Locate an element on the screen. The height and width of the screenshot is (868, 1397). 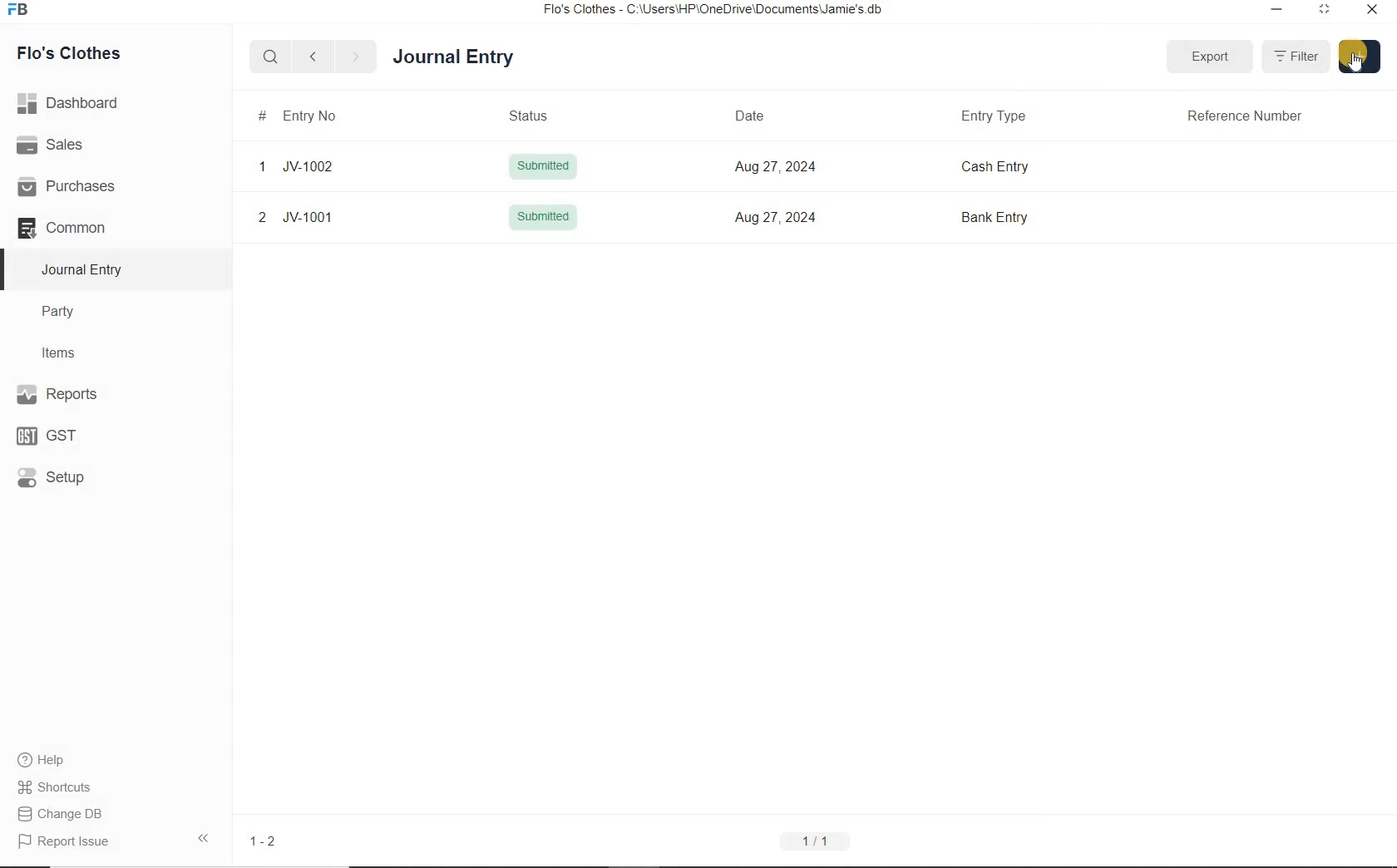
cursor is located at coordinates (1358, 65).